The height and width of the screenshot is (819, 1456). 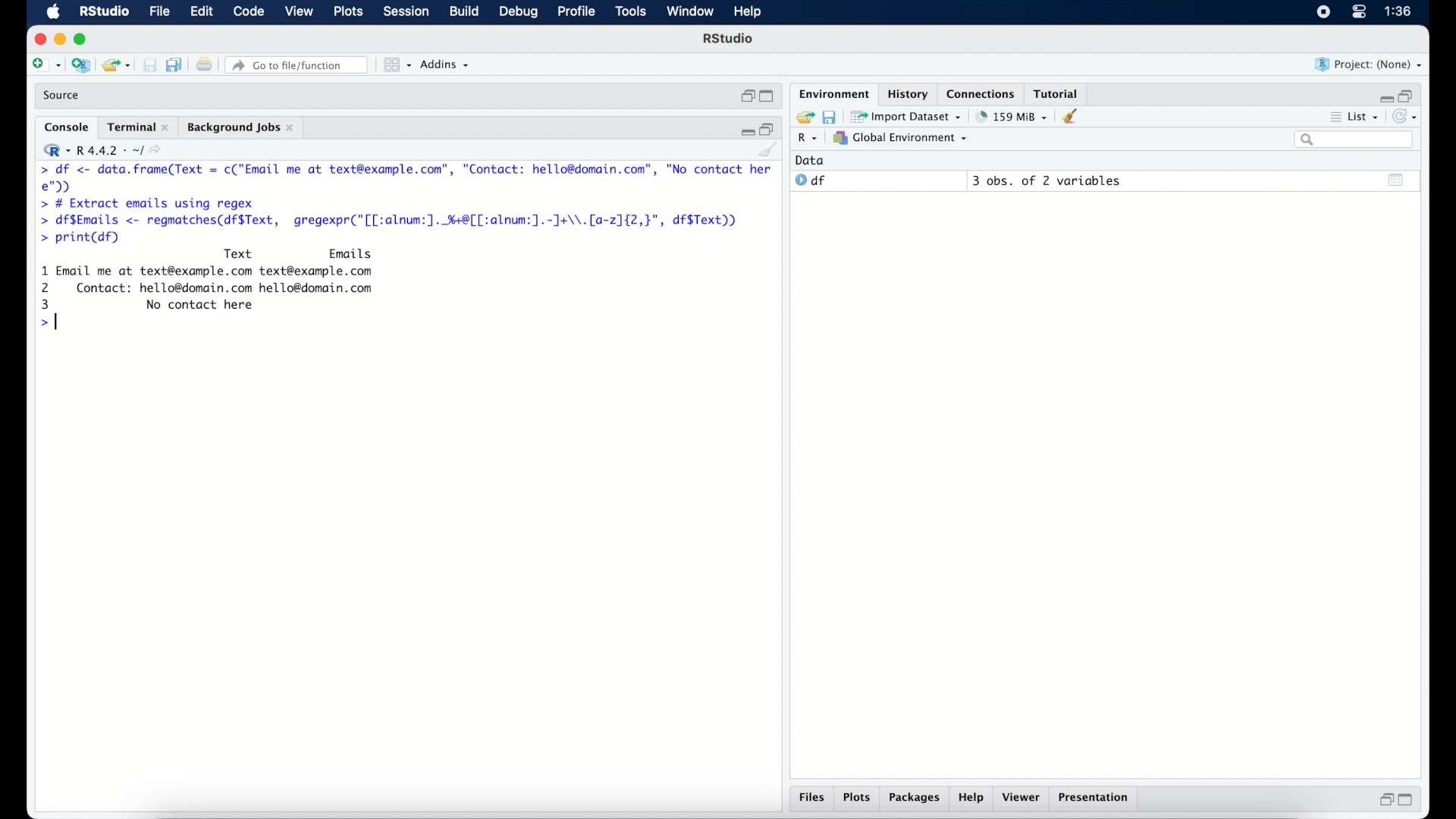 What do you see at coordinates (1323, 12) in the screenshot?
I see `screen recorder icon` at bounding box center [1323, 12].